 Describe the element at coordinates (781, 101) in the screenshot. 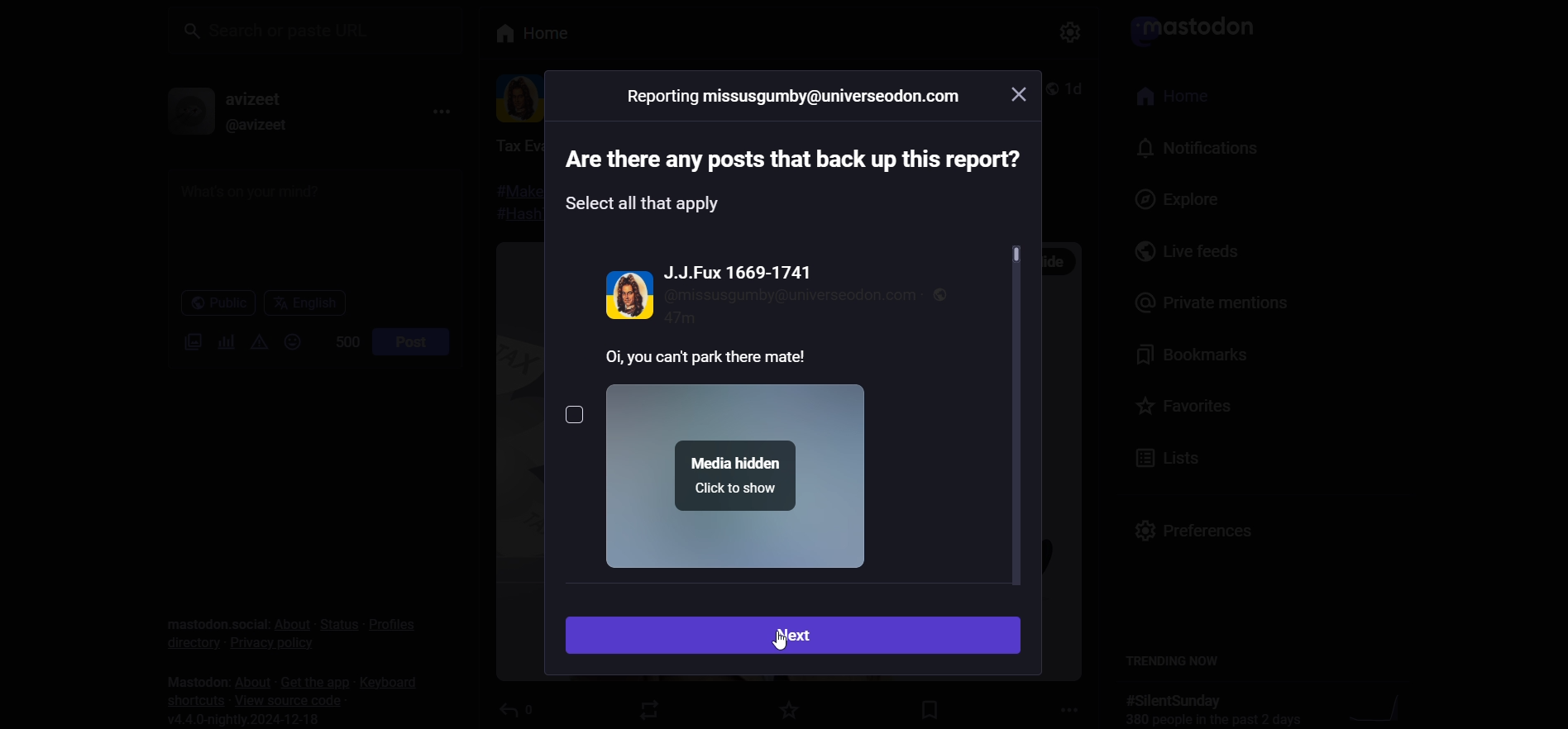

I see `reporting ID` at that location.